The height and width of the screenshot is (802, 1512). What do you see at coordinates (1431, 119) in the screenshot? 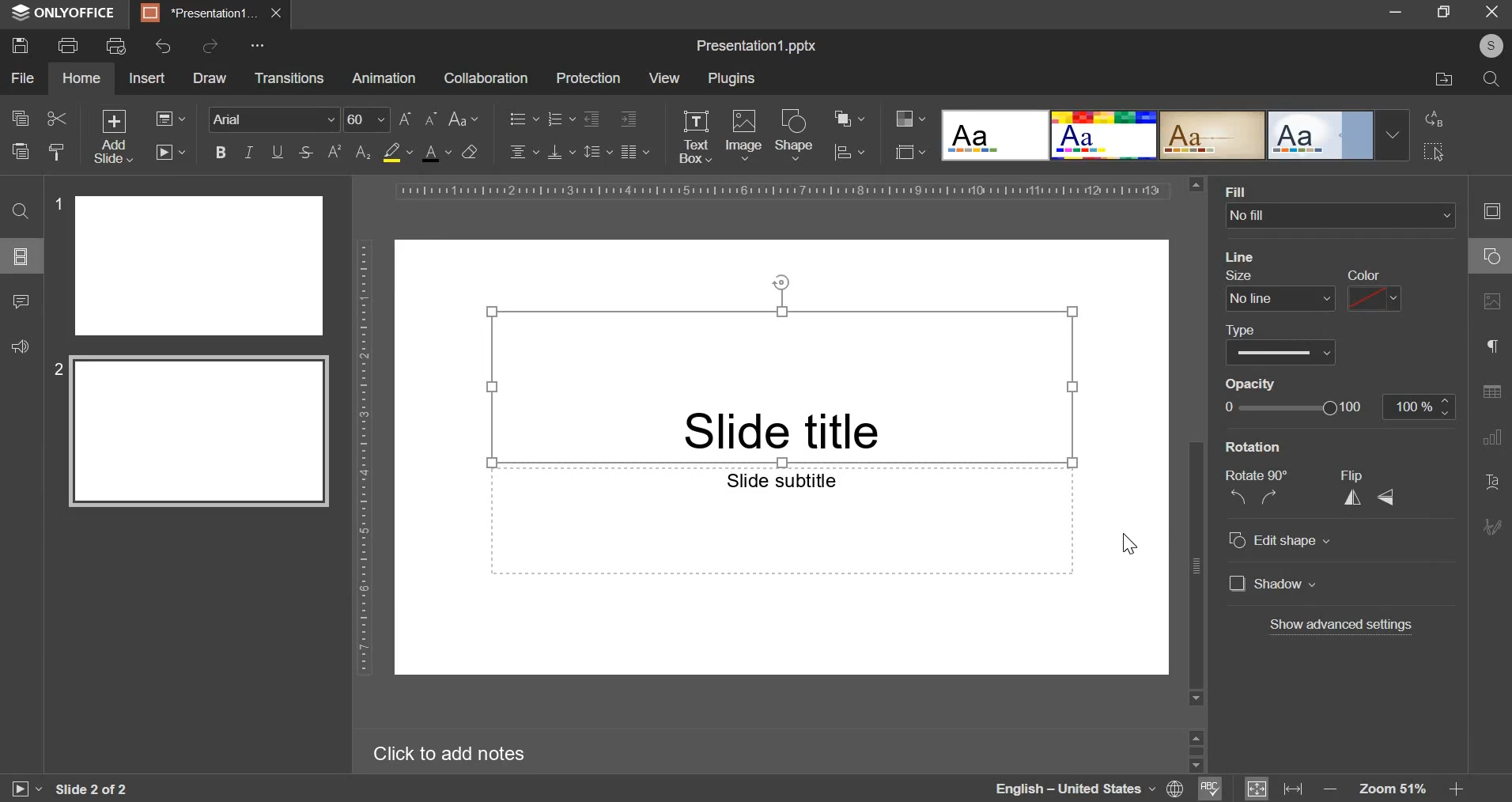
I see `replace` at bounding box center [1431, 119].